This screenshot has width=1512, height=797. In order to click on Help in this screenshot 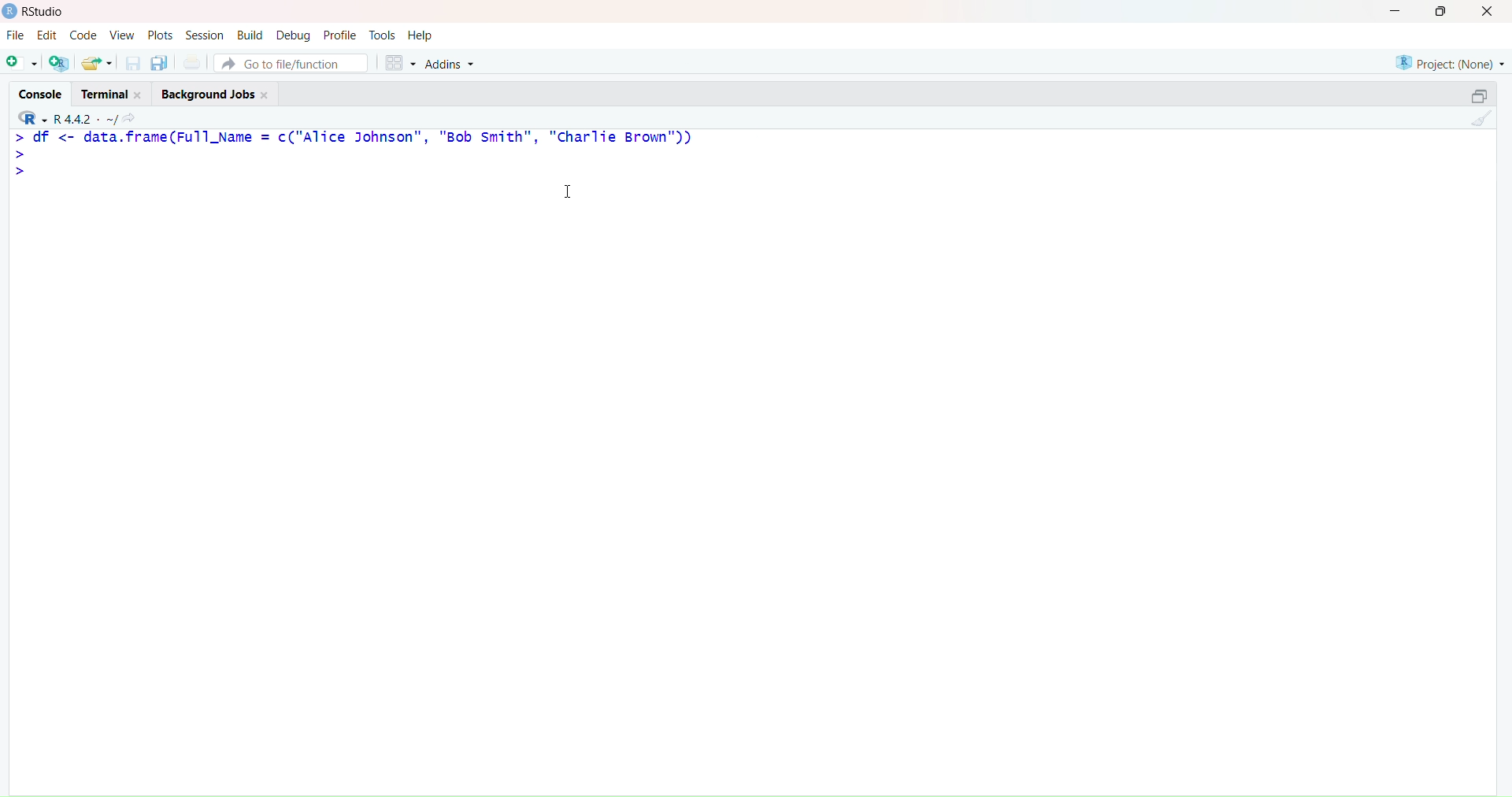, I will do `click(421, 34)`.